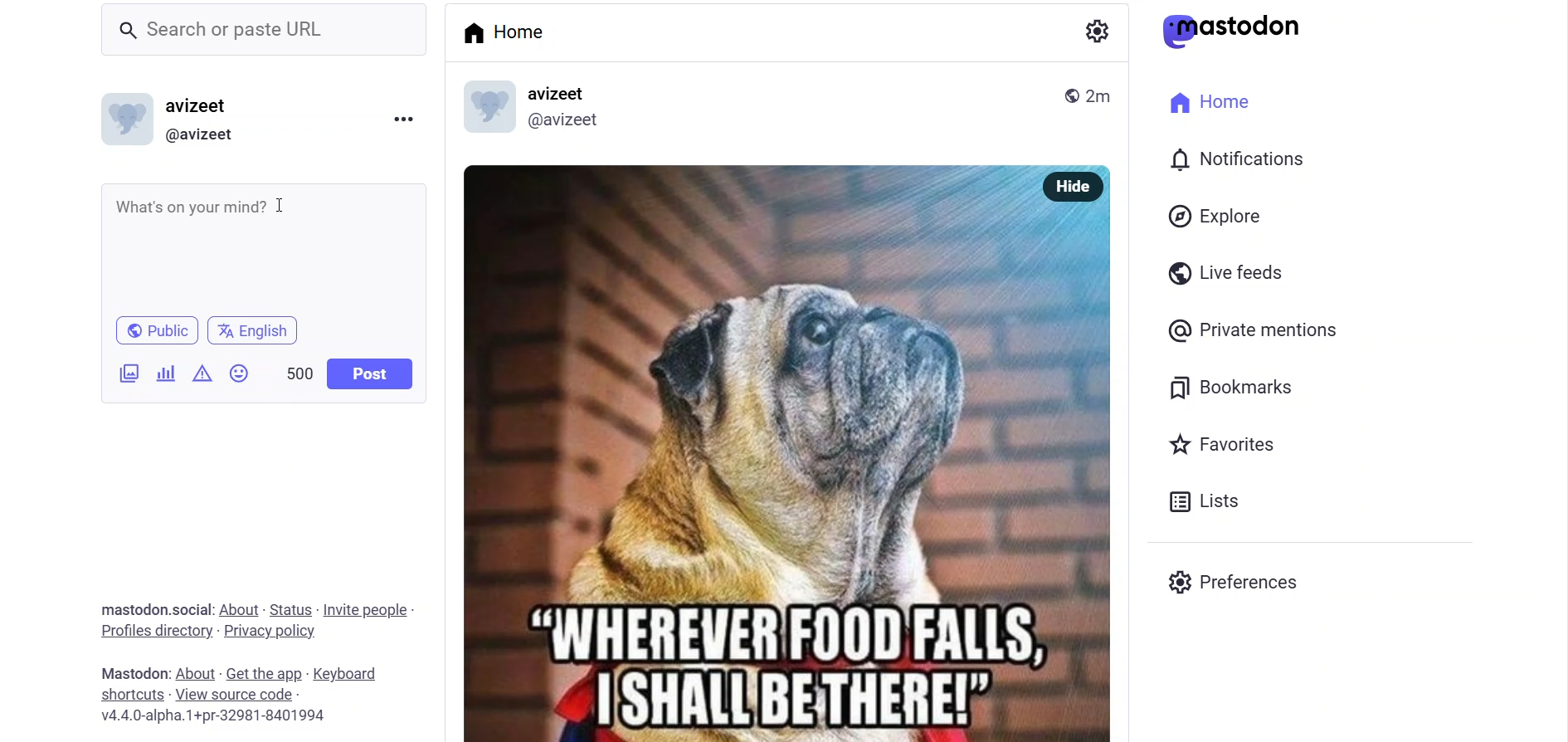  I want to click on View Source Code, so click(236, 694).